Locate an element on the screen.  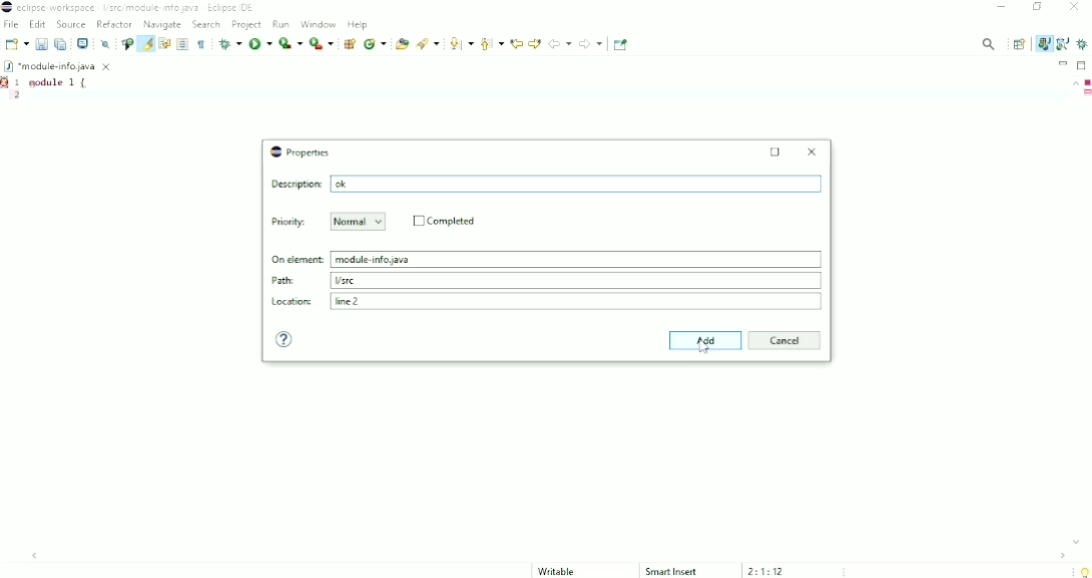
Skip All Breakpoints is located at coordinates (103, 44).